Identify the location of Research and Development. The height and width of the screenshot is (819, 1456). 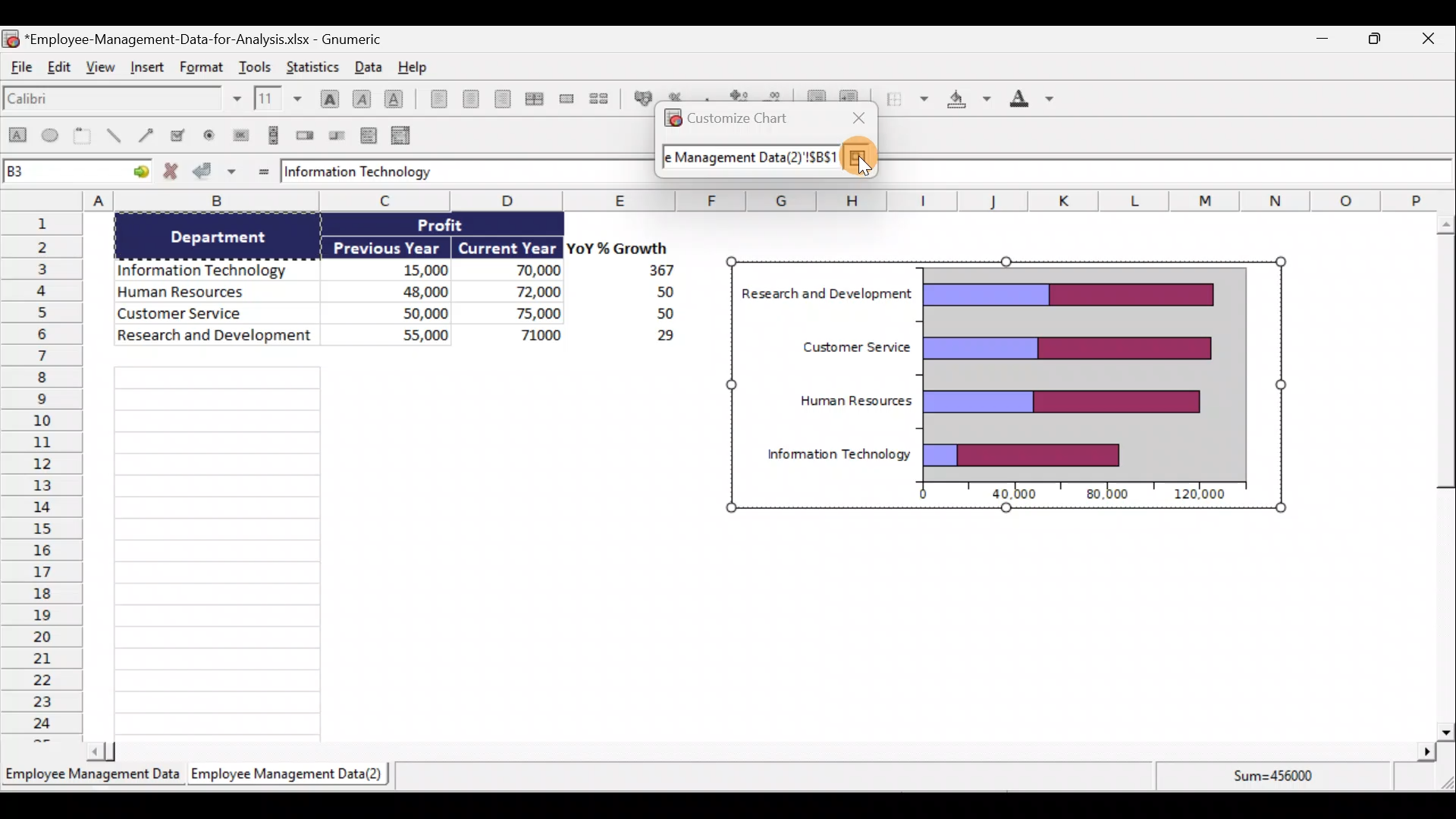
(215, 339).